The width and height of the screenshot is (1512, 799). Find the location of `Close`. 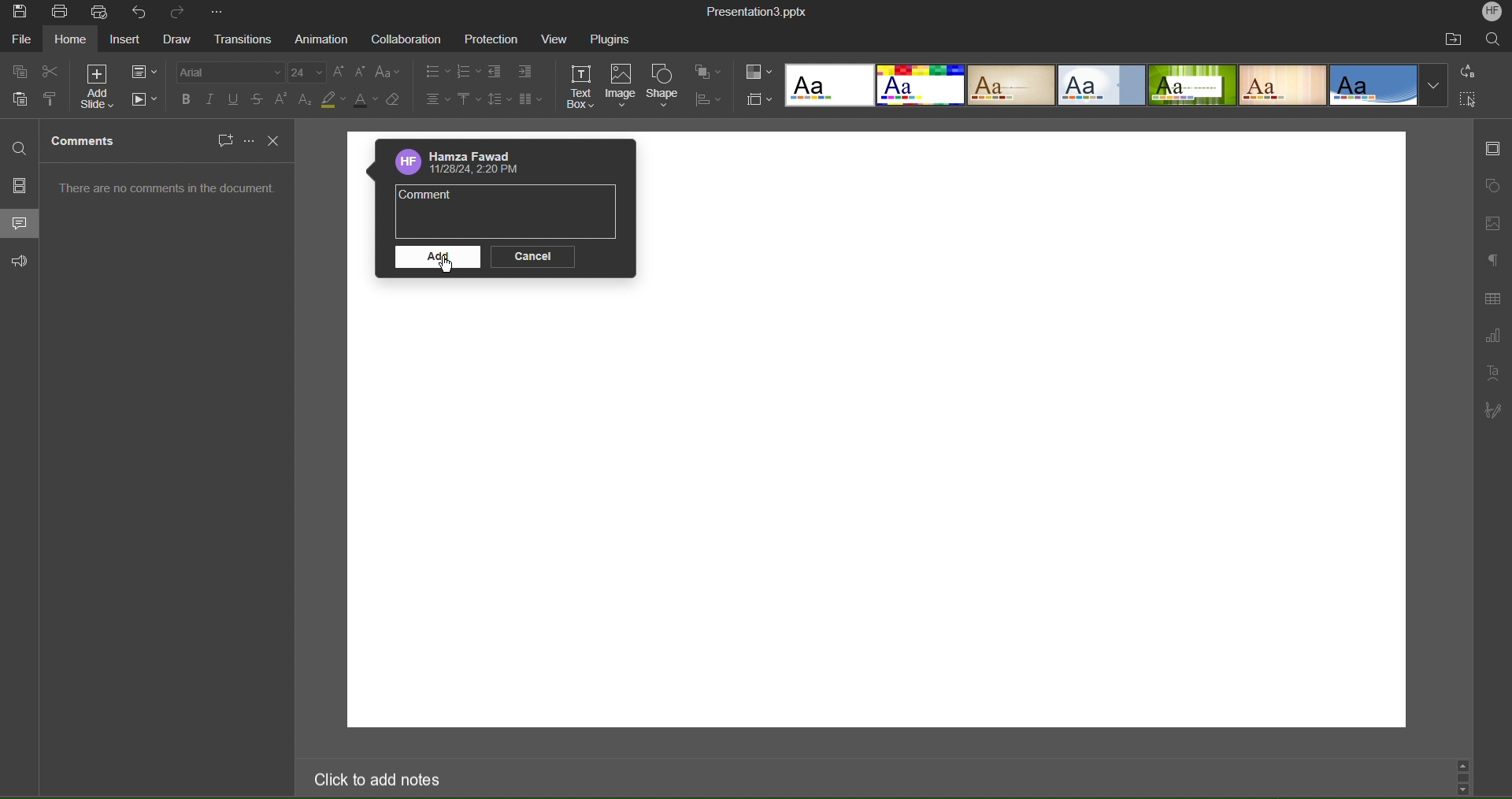

Close is located at coordinates (276, 141).